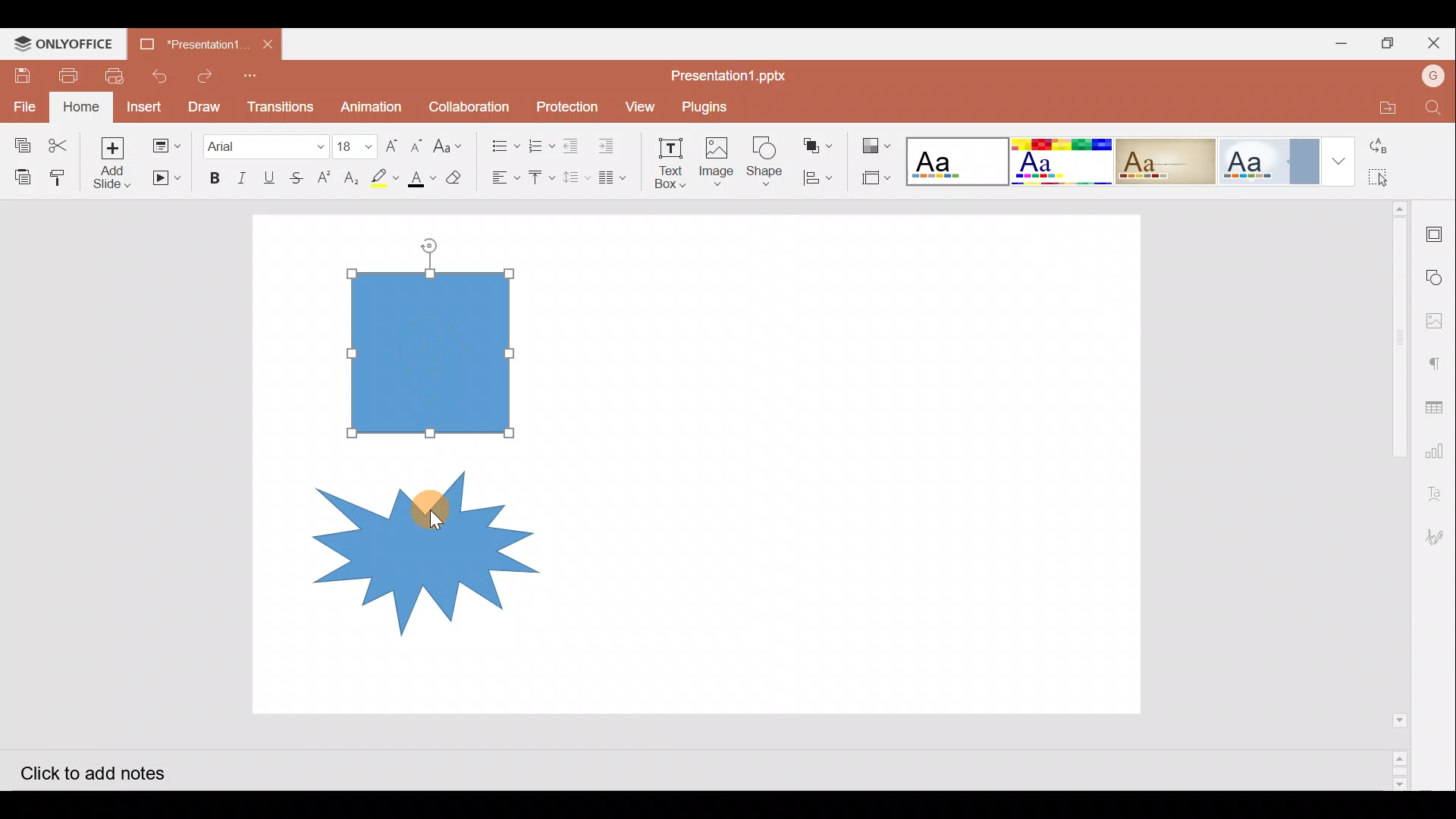 The image size is (1456, 819). What do you see at coordinates (1439, 536) in the screenshot?
I see `Signature settings` at bounding box center [1439, 536].